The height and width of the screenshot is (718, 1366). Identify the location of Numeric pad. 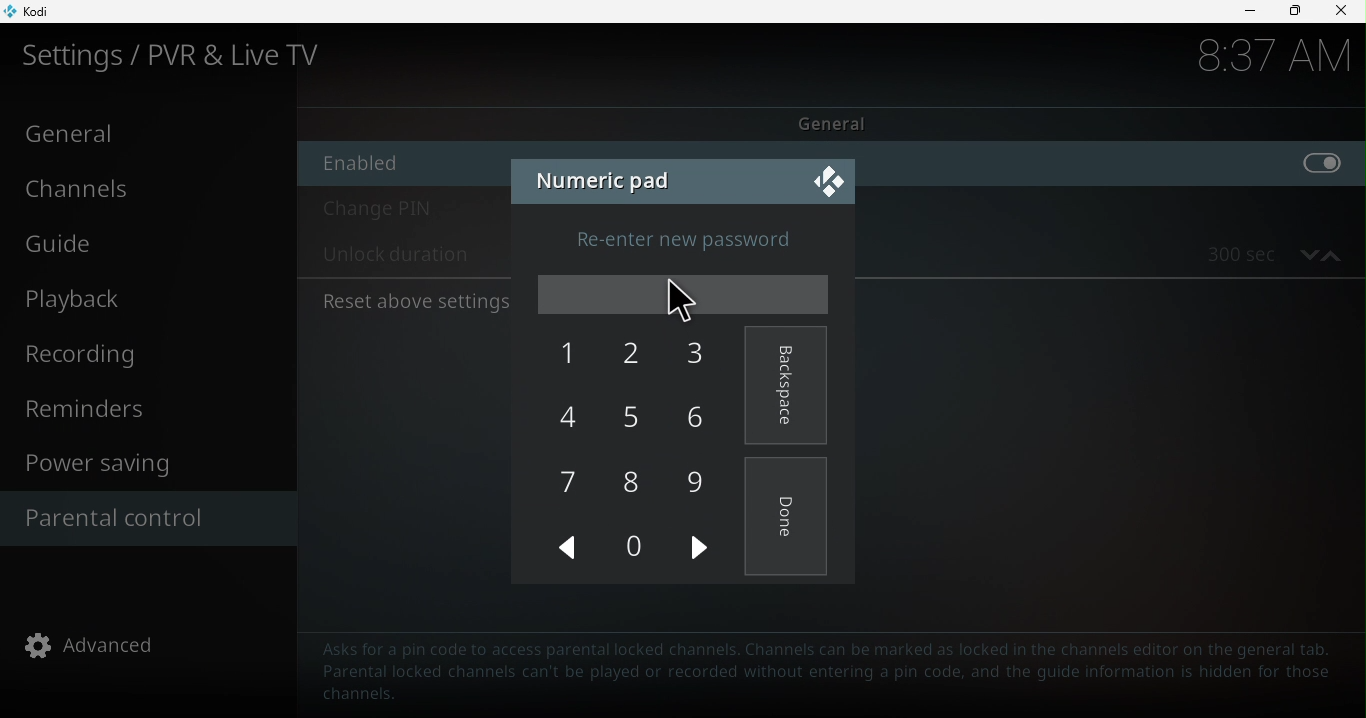
(605, 177).